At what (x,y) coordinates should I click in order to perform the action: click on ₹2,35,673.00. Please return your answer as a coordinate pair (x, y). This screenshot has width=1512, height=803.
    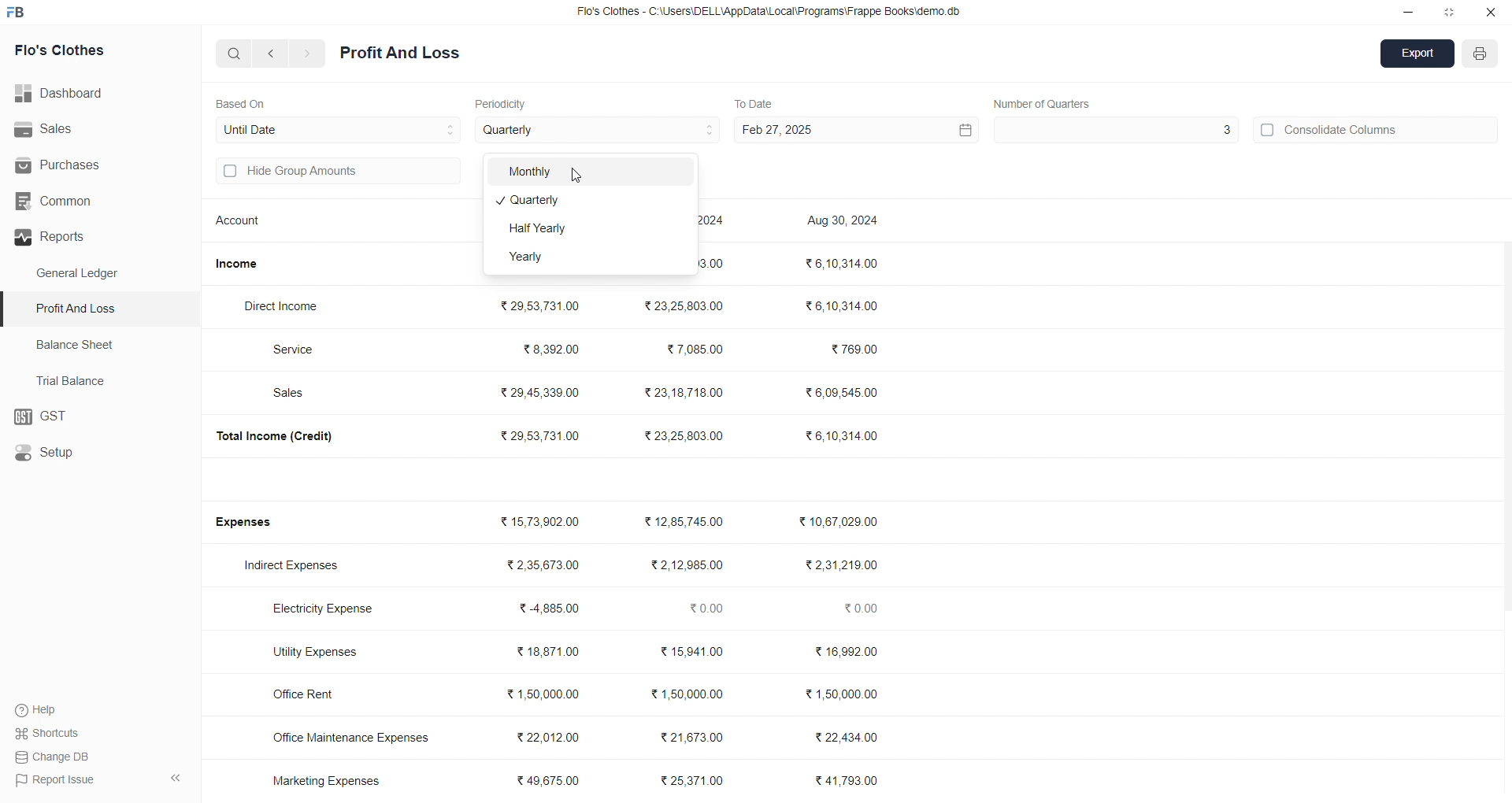
    Looking at the image, I should click on (543, 565).